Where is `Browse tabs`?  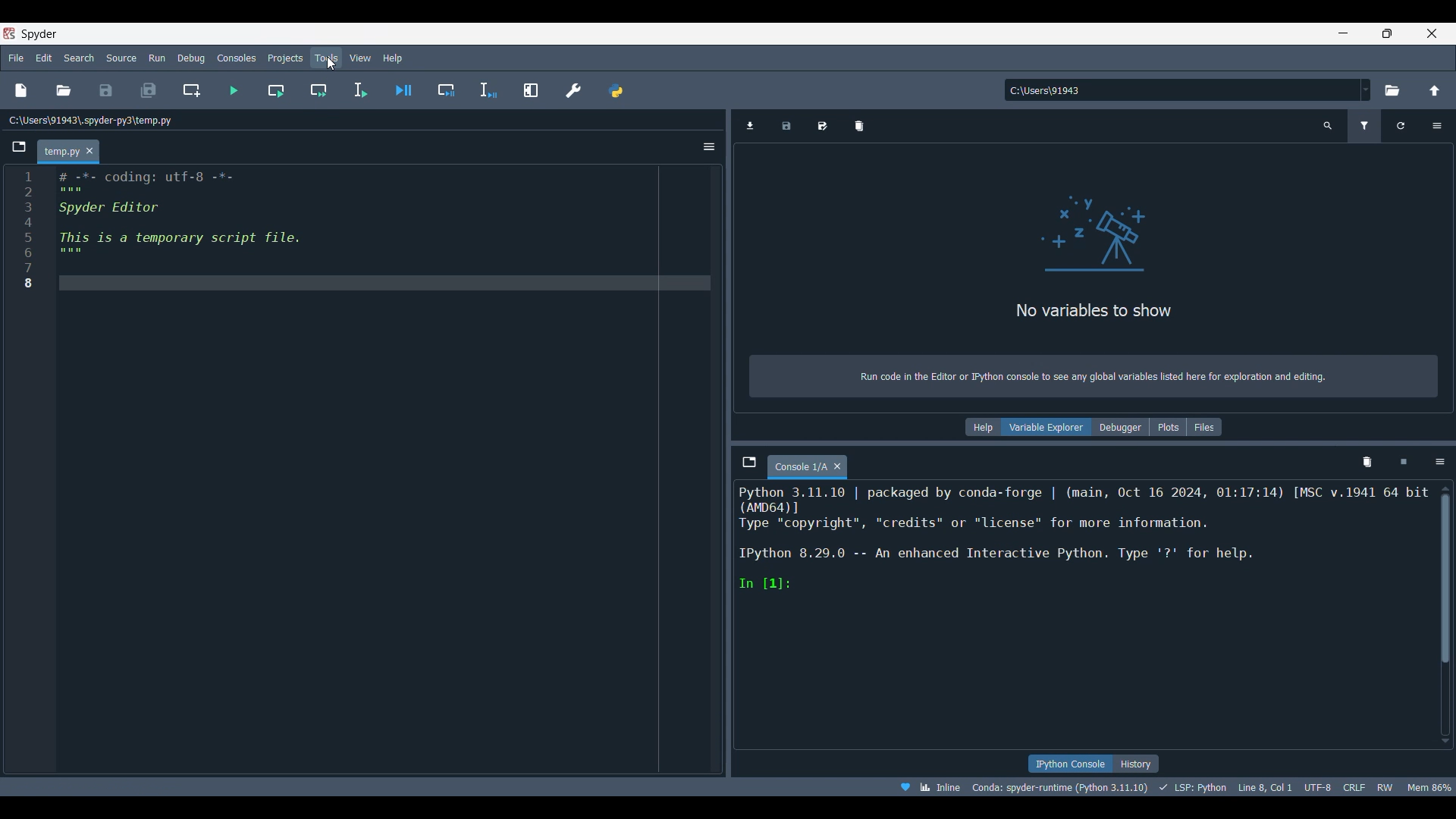 Browse tabs is located at coordinates (20, 147).